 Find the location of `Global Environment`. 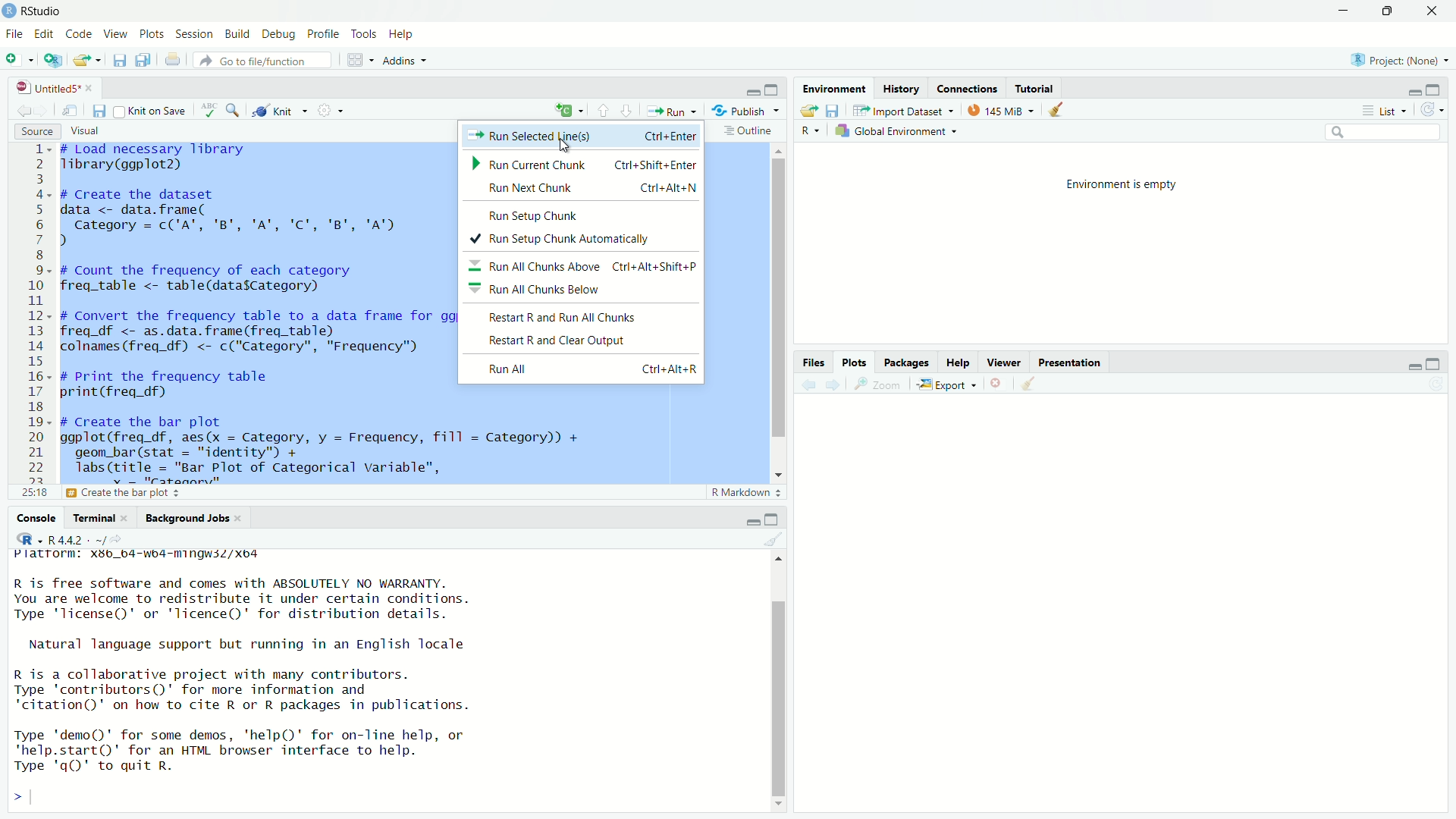

Global Environment is located at coordinates (893, 132).